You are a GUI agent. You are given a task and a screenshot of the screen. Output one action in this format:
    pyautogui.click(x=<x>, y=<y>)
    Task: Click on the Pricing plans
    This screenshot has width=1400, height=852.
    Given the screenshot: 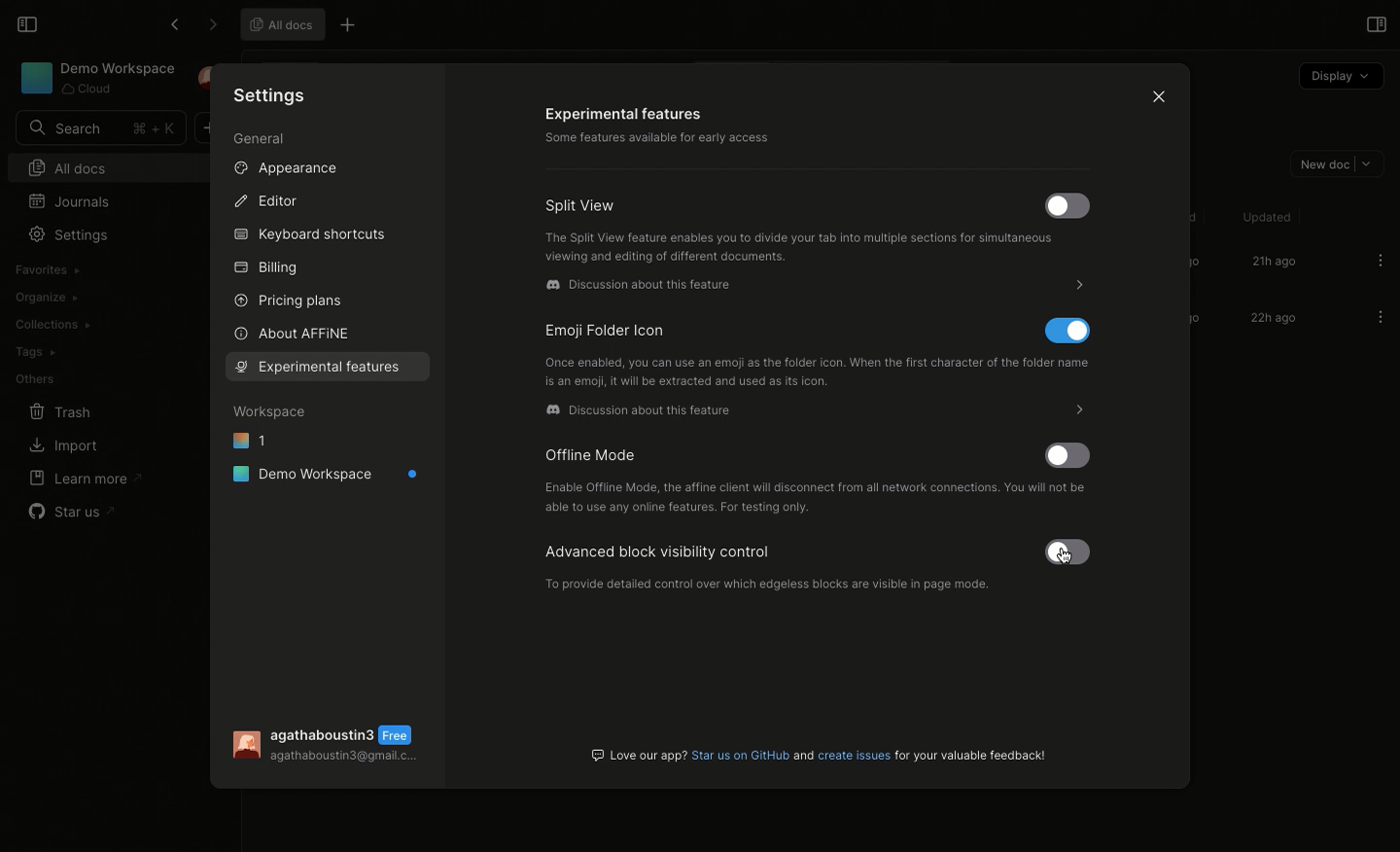 What is the action you would take?
    pyautogui.click(x=287, y=302)
    